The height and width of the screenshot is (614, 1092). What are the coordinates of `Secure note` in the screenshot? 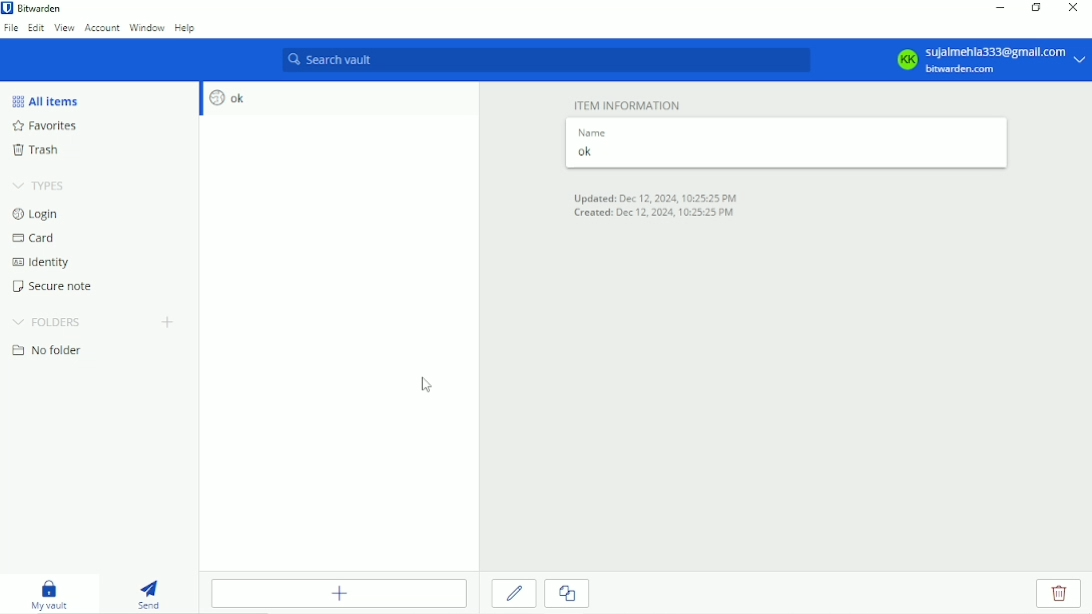 It's located at (62, 289).